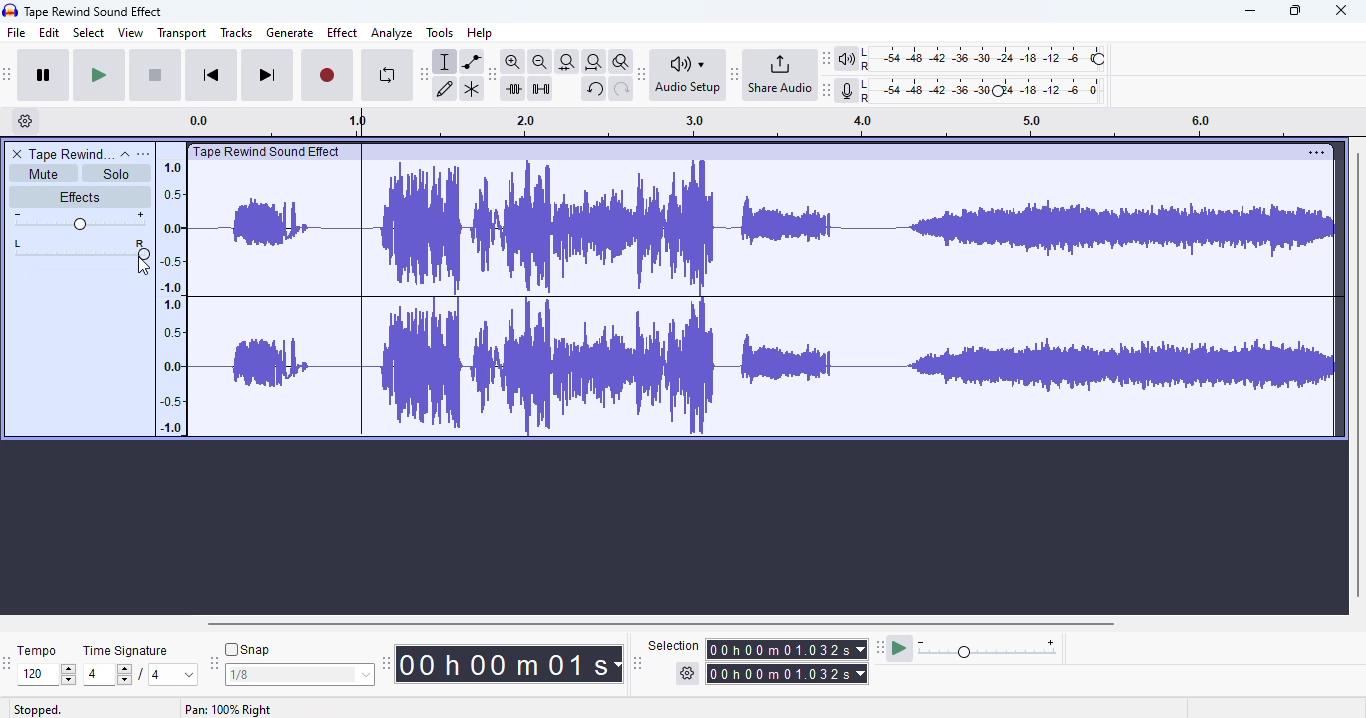 Image resolution: width=1366 pixels, height=718 pixels. Describe the element at coordinates (126, 155) in the screenshot. I see `collapse` at that location.